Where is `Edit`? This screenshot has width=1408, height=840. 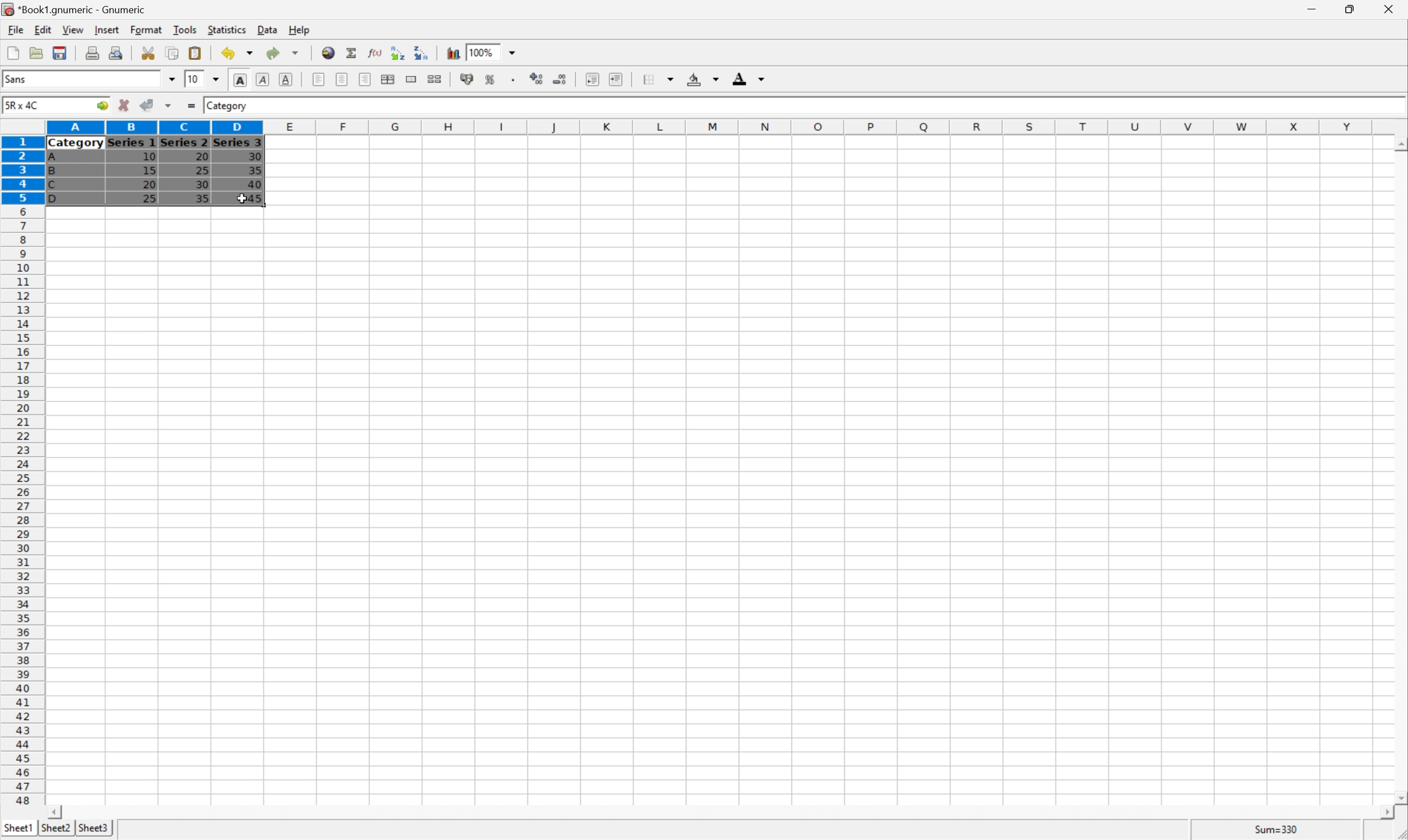 Edit is located at coordinates (43, 29).